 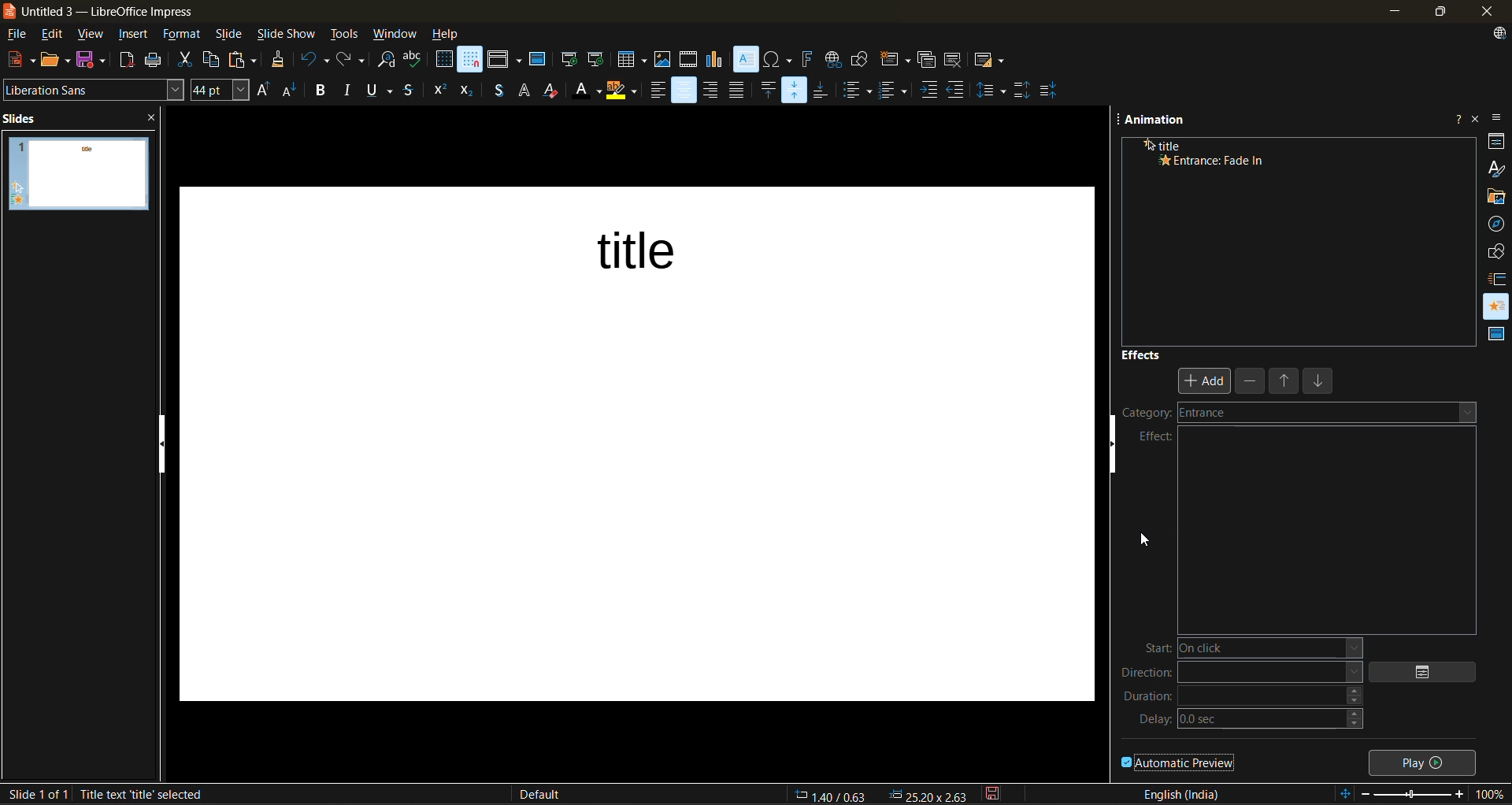 What do you see at coordinates (128, 61) in the screenshot?
I see `export directly as PDF` at bounding box center [128, 61].